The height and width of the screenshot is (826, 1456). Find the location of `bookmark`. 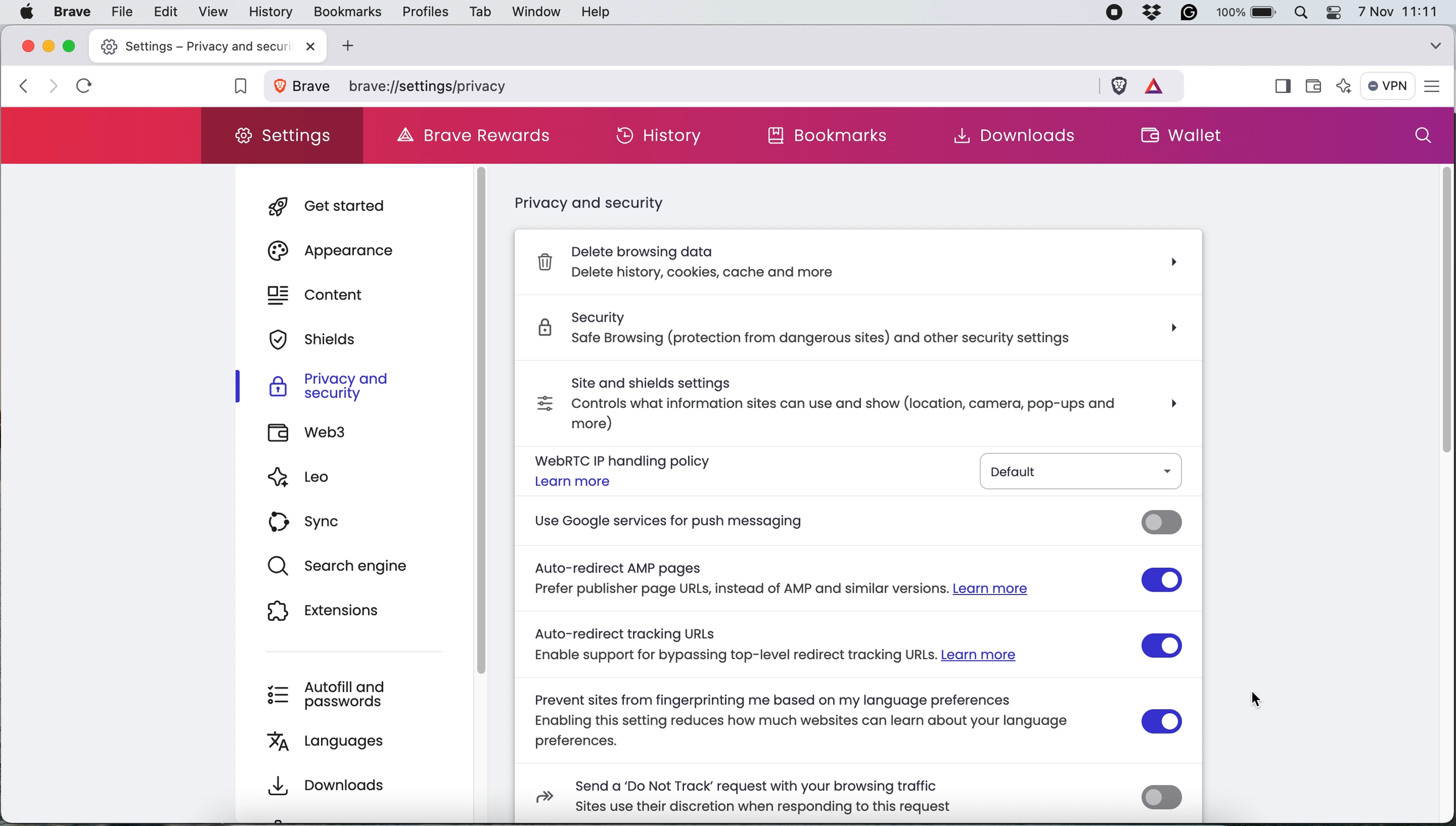

bookmark is located at coordinates (235, 88).